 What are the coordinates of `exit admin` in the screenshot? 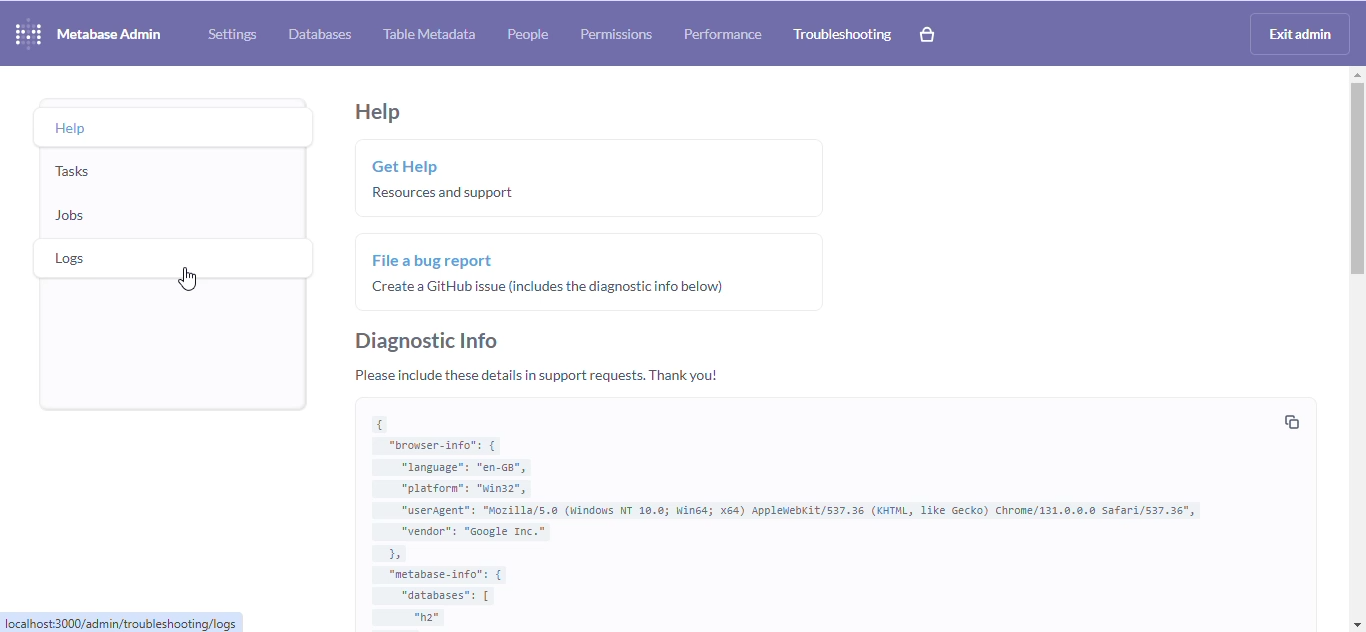 It's located at (1300, 34).